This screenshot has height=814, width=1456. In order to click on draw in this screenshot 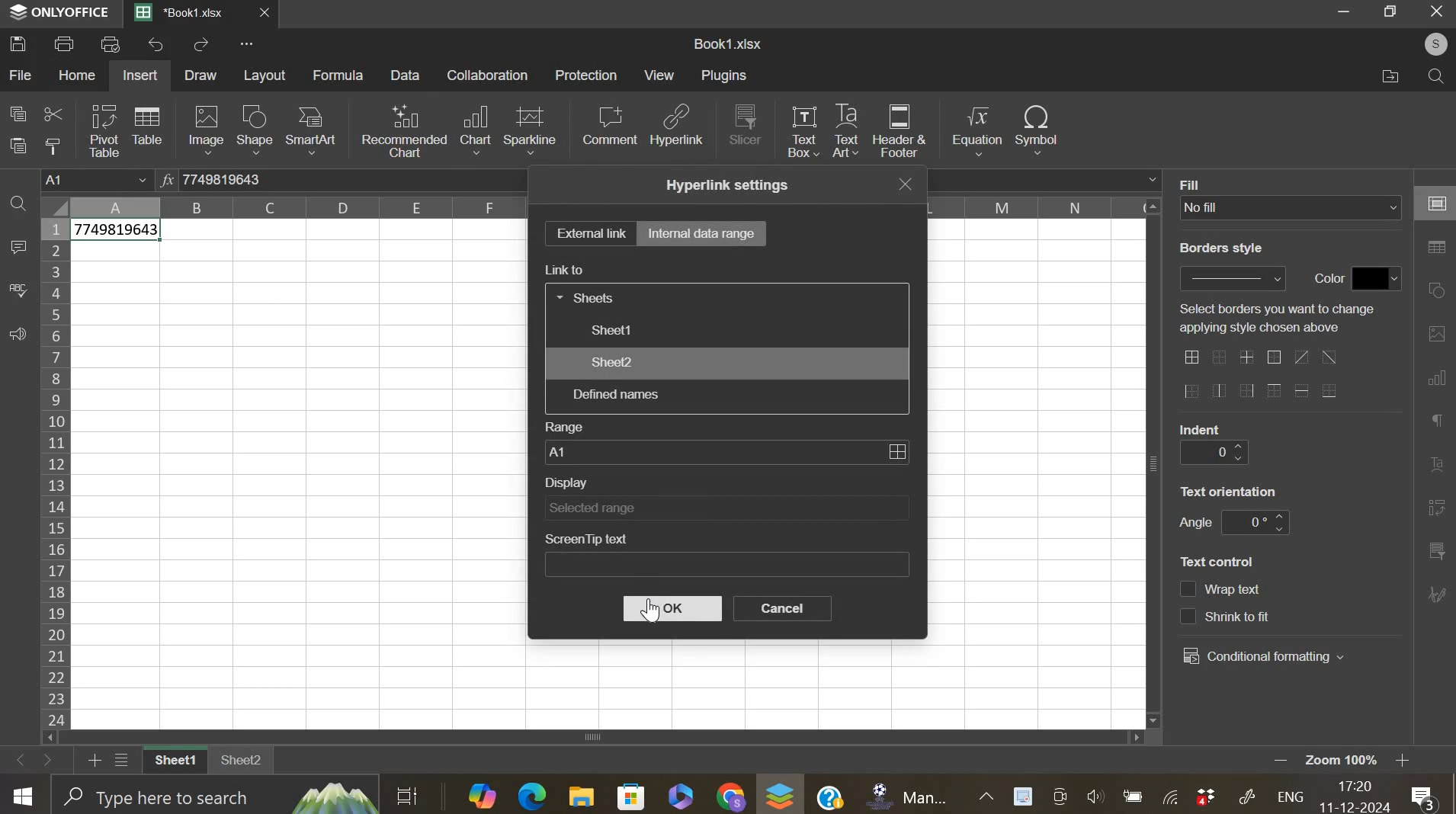, I will do `click(201, 75)`.